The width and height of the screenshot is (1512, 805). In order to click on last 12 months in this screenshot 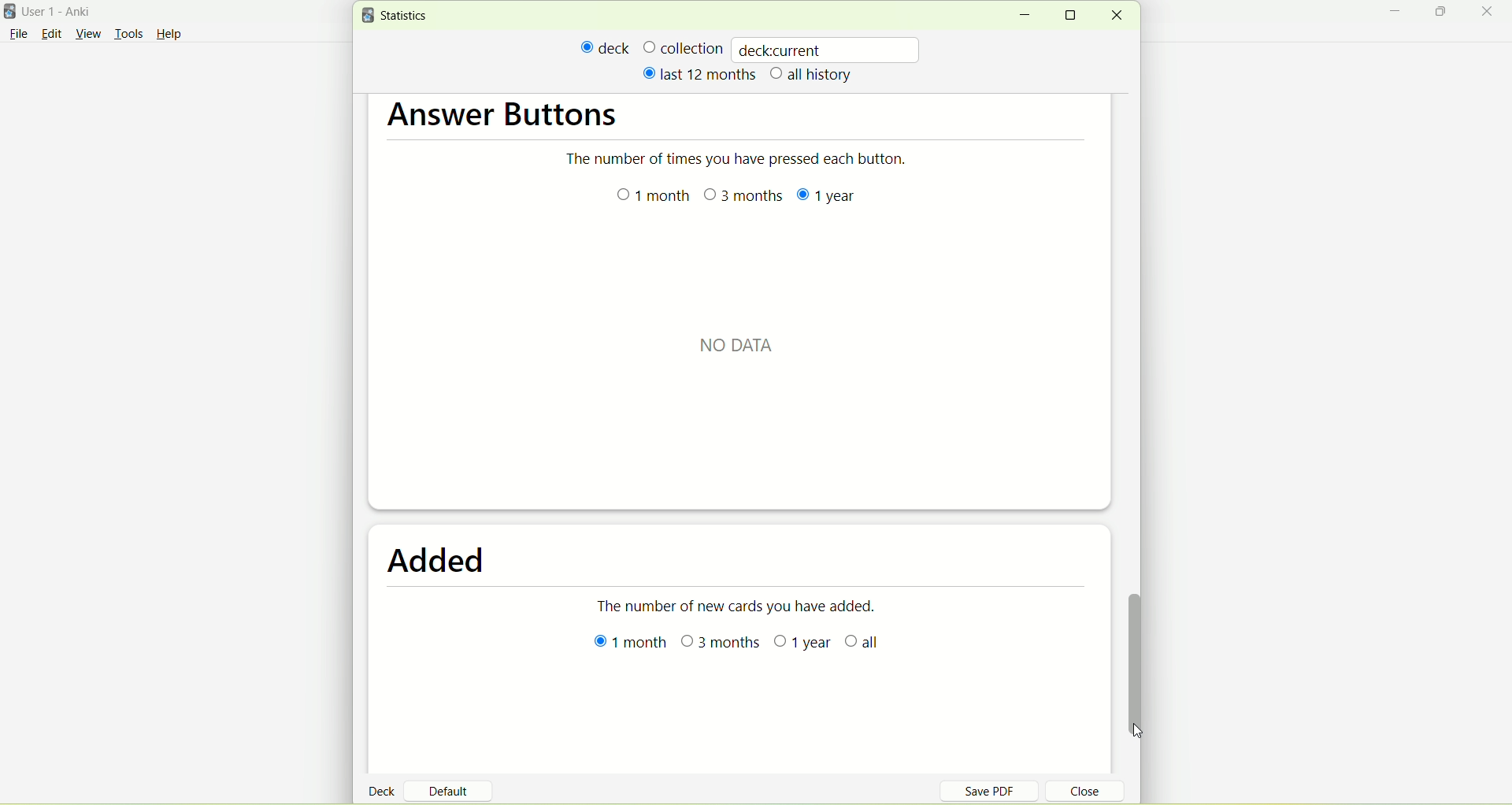, I will do `click(698, 73)`.